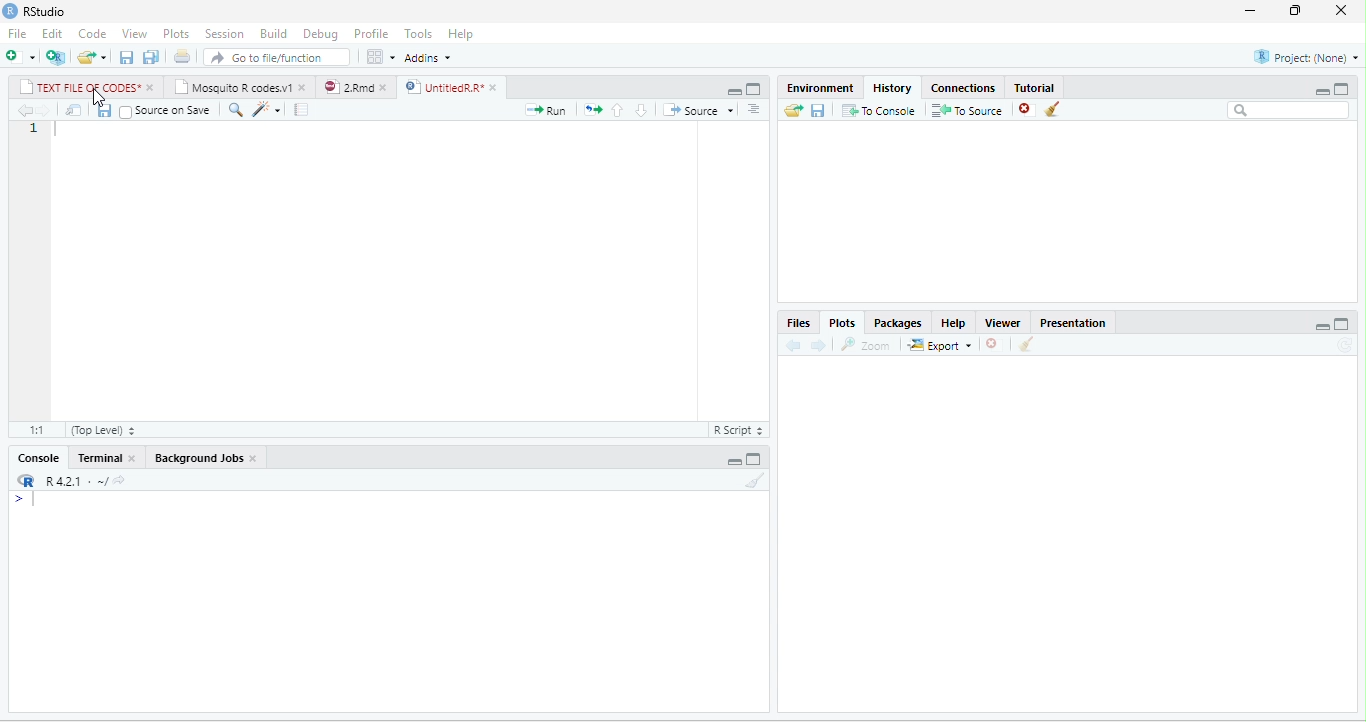 This screenshot has width=1366, height=722. Describe the element at coordinates (798, 322) in the screenshot. I see `Files` at that location.